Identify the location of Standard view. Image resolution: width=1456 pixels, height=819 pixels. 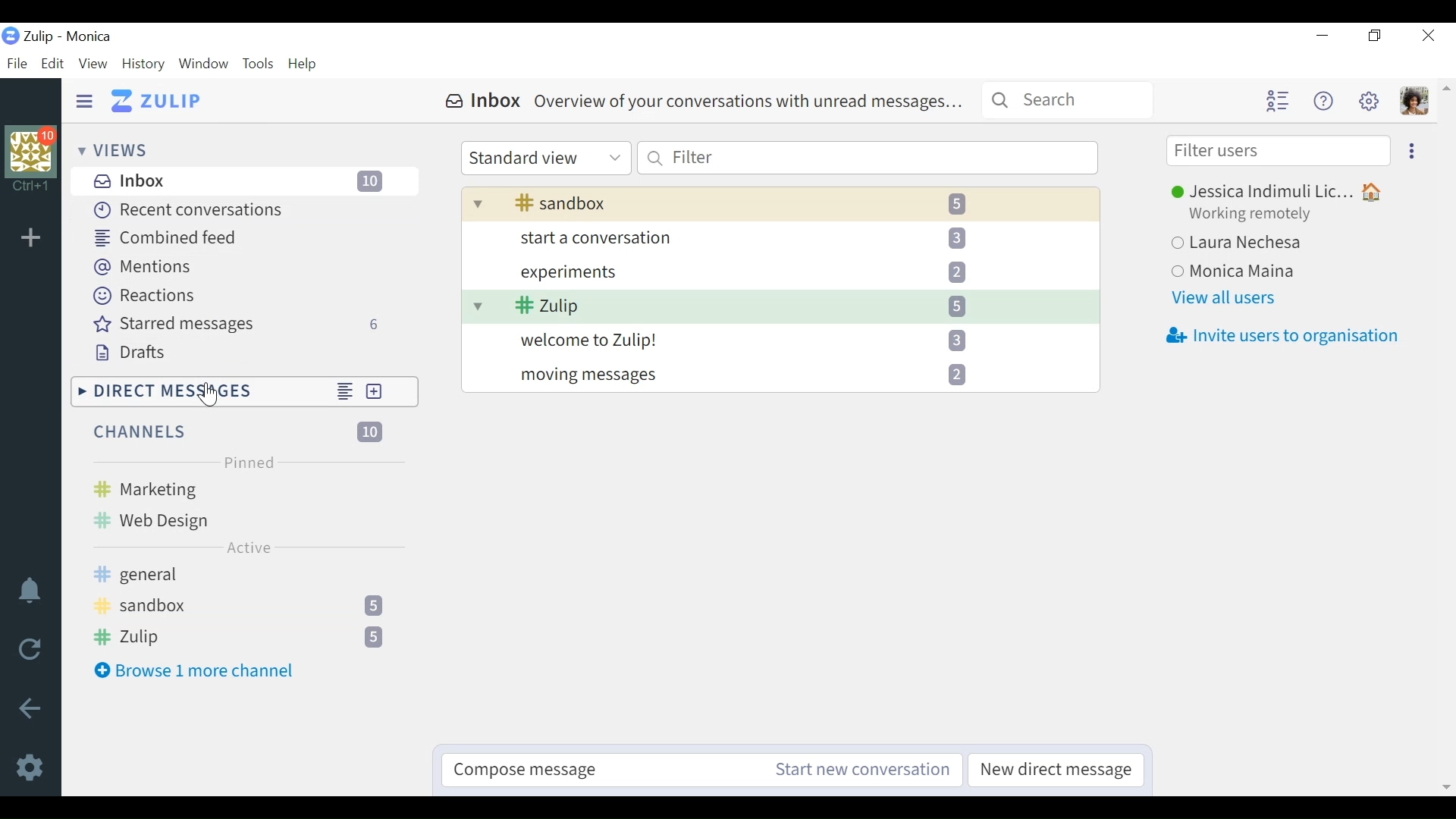
(545, 158).